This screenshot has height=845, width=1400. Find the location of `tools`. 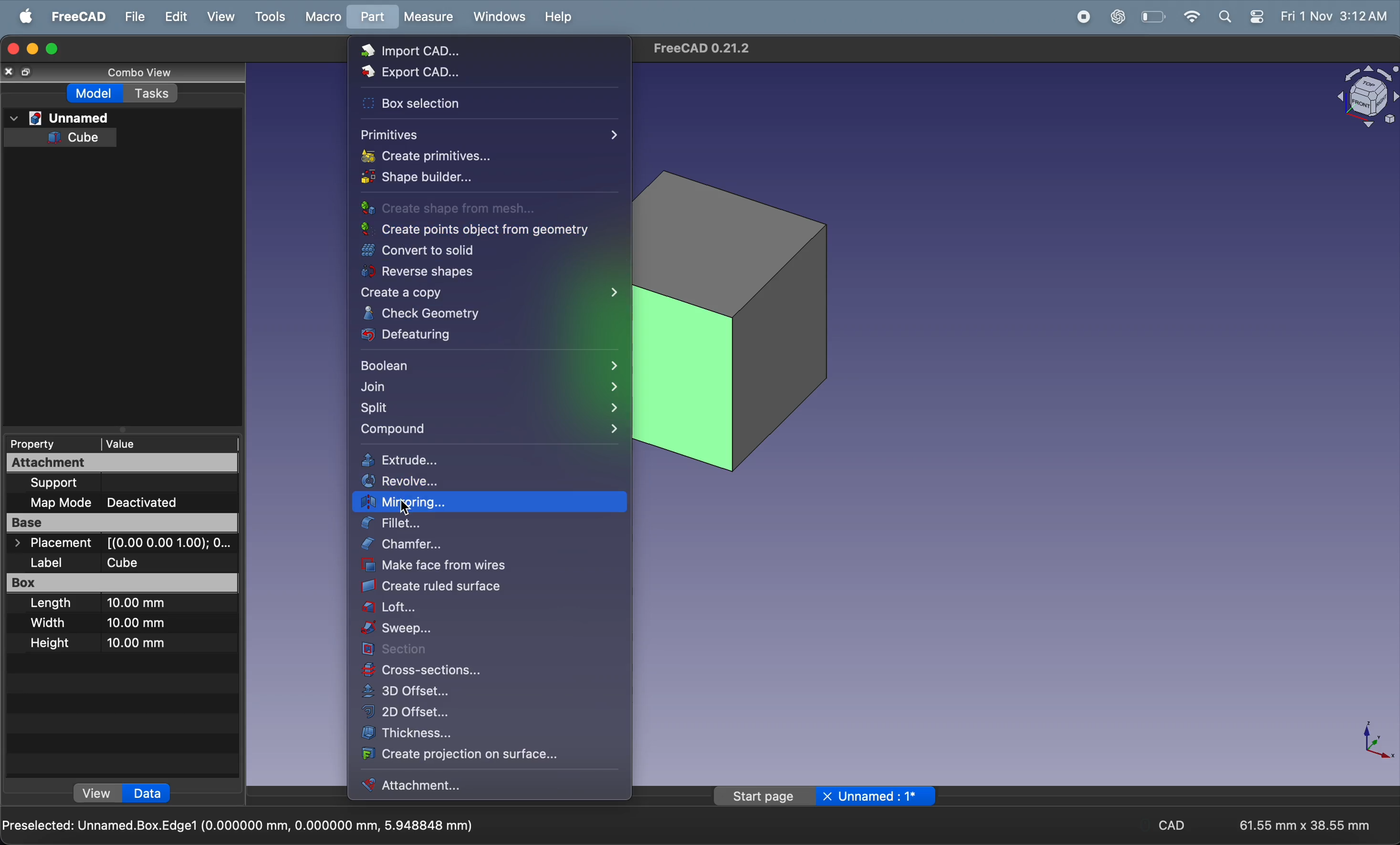

tools is located at coordinates (269, 15).